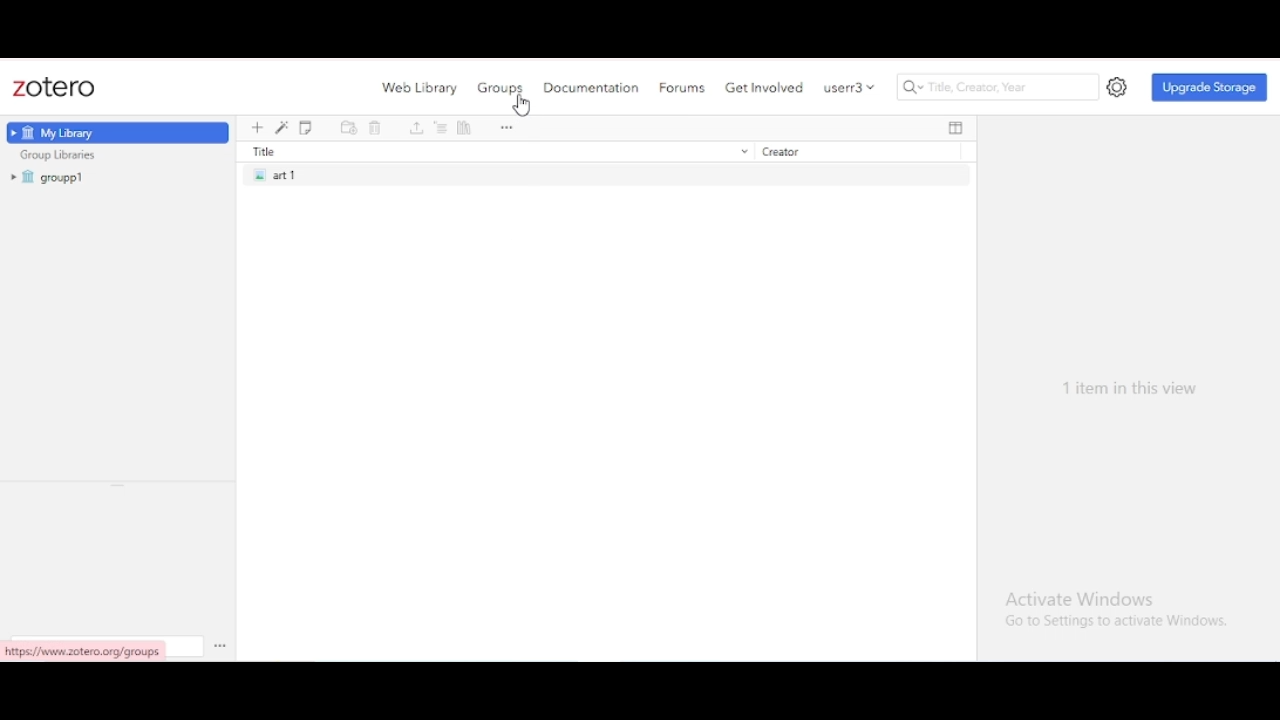 This screenshot has width=1280, height=720. Describe the element at coordinates (421, 88) in the screenshot. I see `web library` at that location.